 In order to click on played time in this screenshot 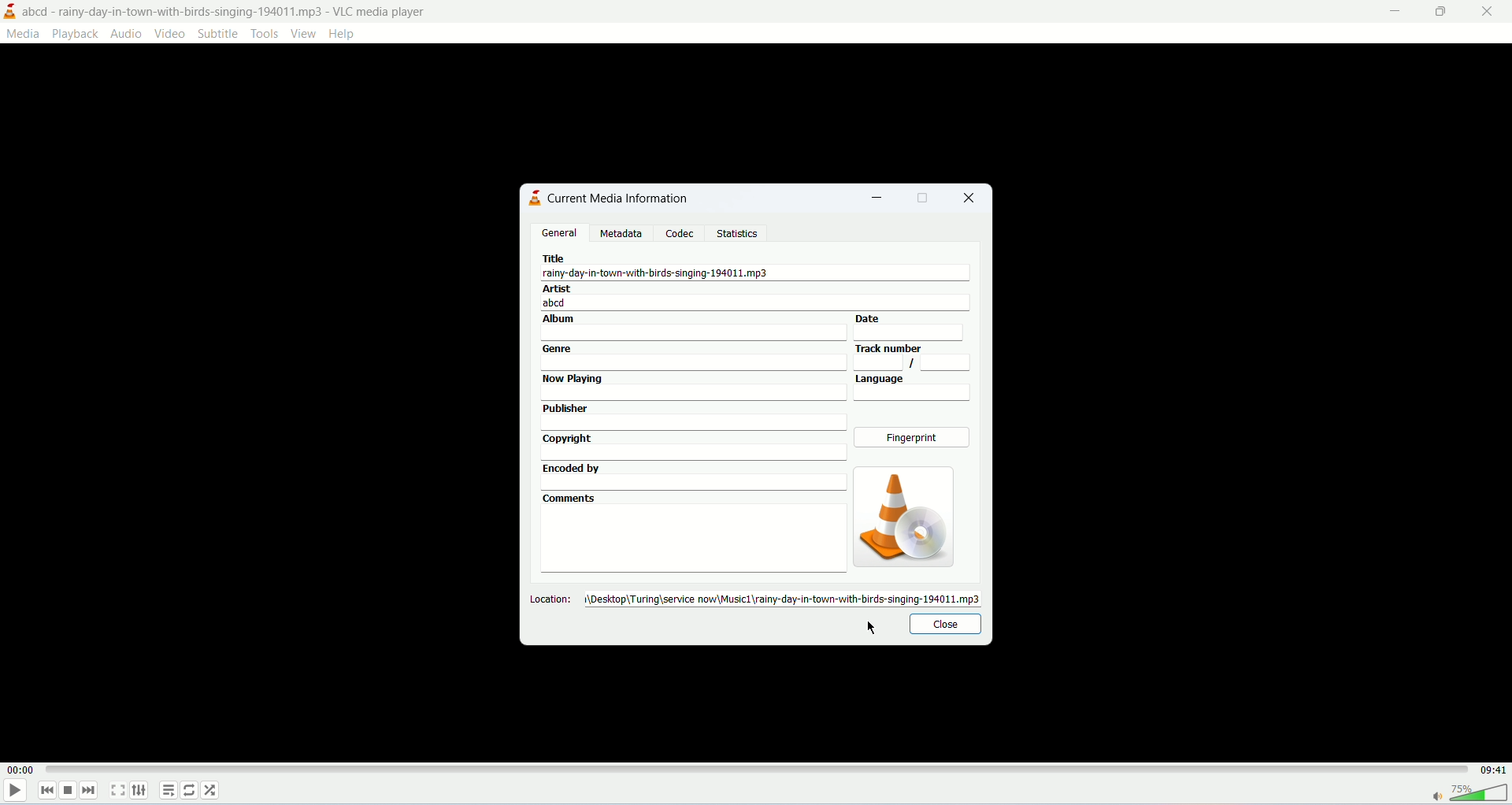, I will do `click(20, 771)`.